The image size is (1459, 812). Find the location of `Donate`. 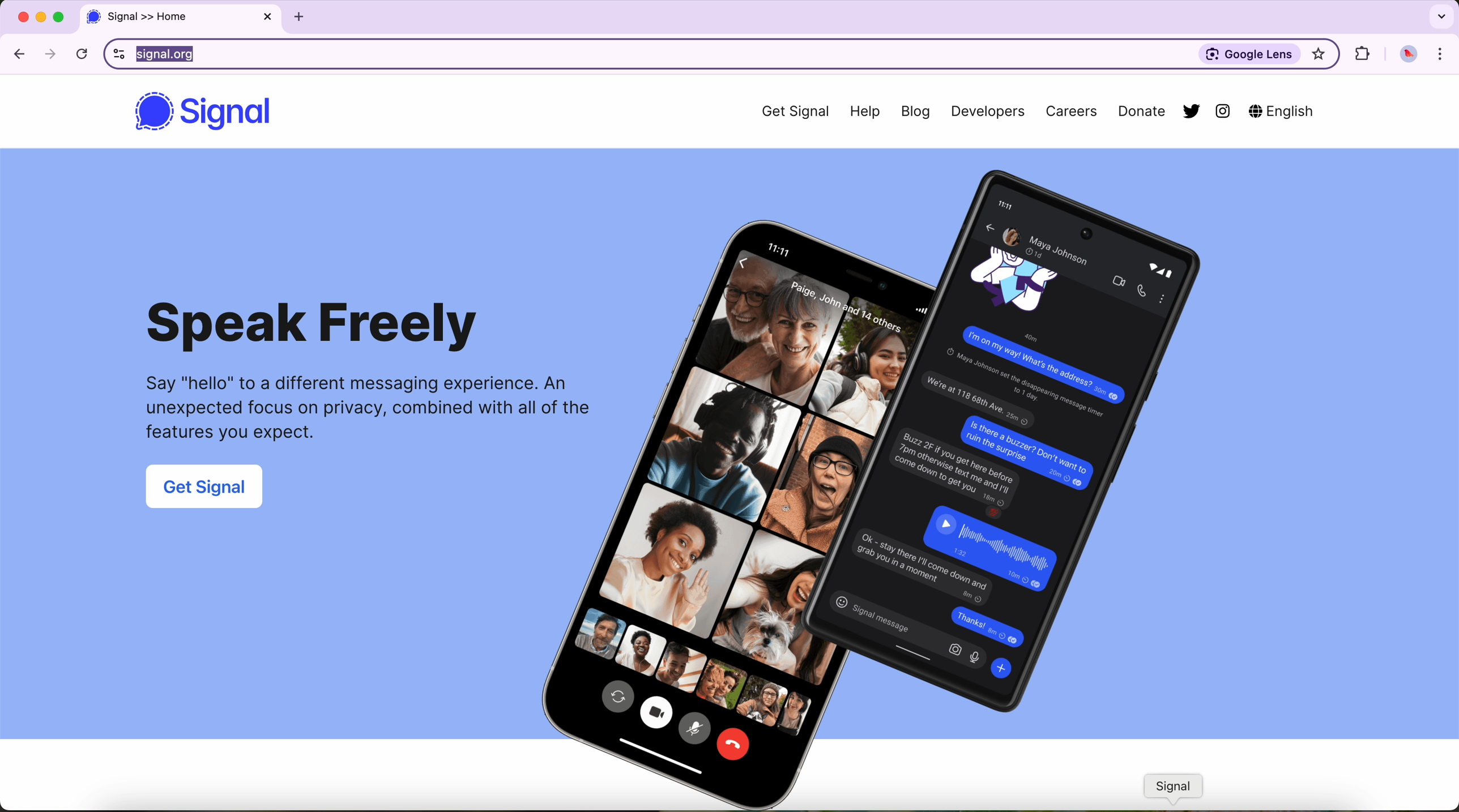

Donate is located at coordinates (1134, 113).